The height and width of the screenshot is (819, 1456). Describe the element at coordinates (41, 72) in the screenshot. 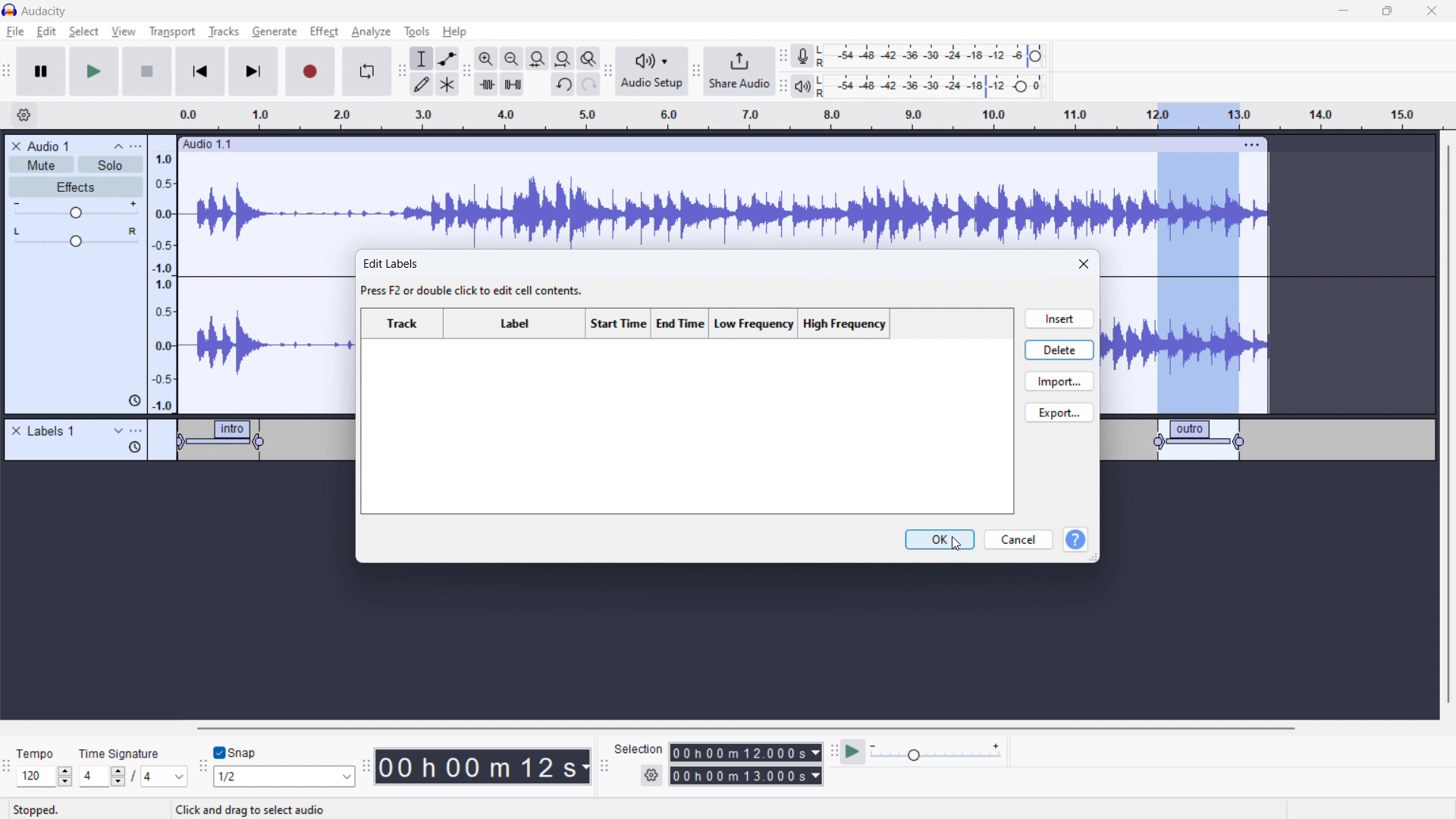

I see `pause` at that location.